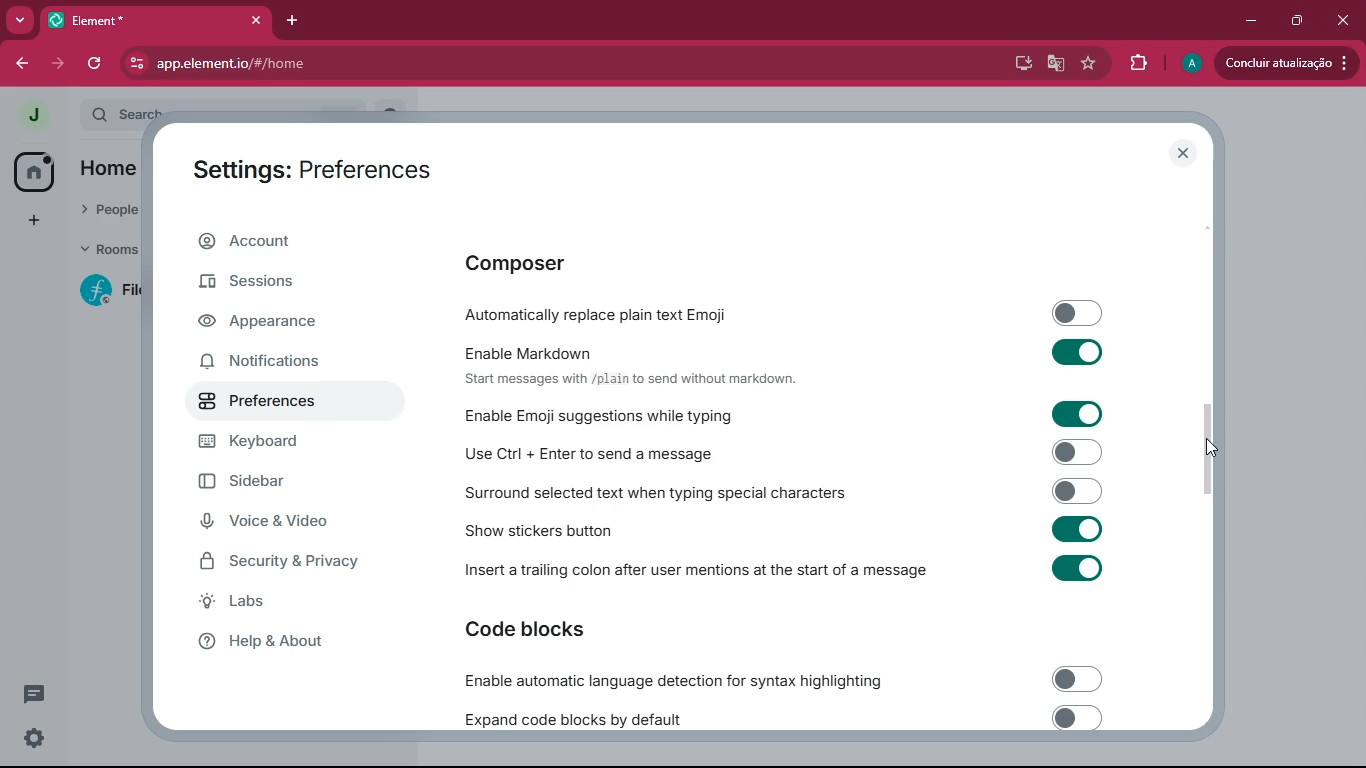  Describe the element at coordinates (288, 643) in the screenshot. I see `help` at that location.